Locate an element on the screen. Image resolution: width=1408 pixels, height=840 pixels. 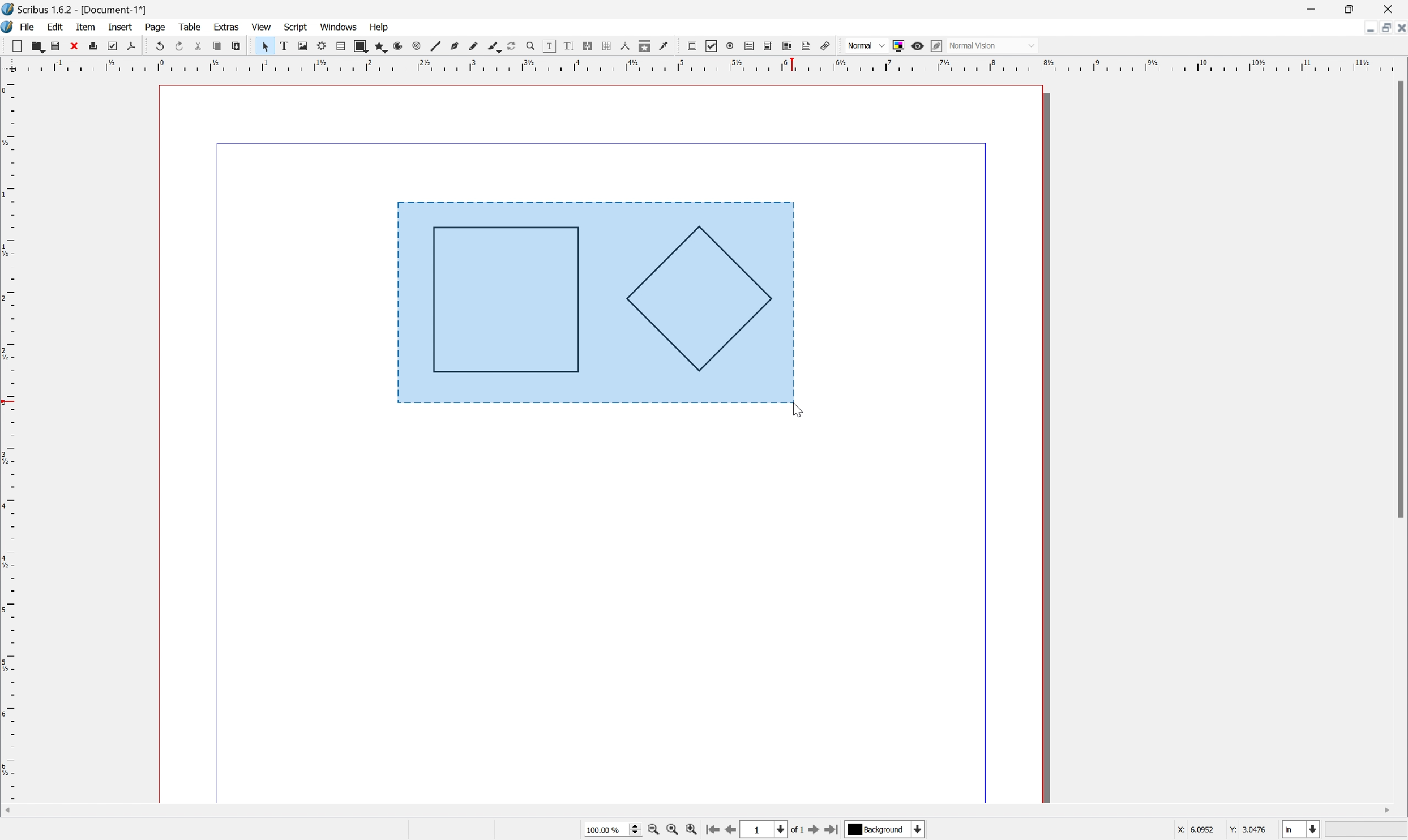
image frame is located at coordinates (298, 46).